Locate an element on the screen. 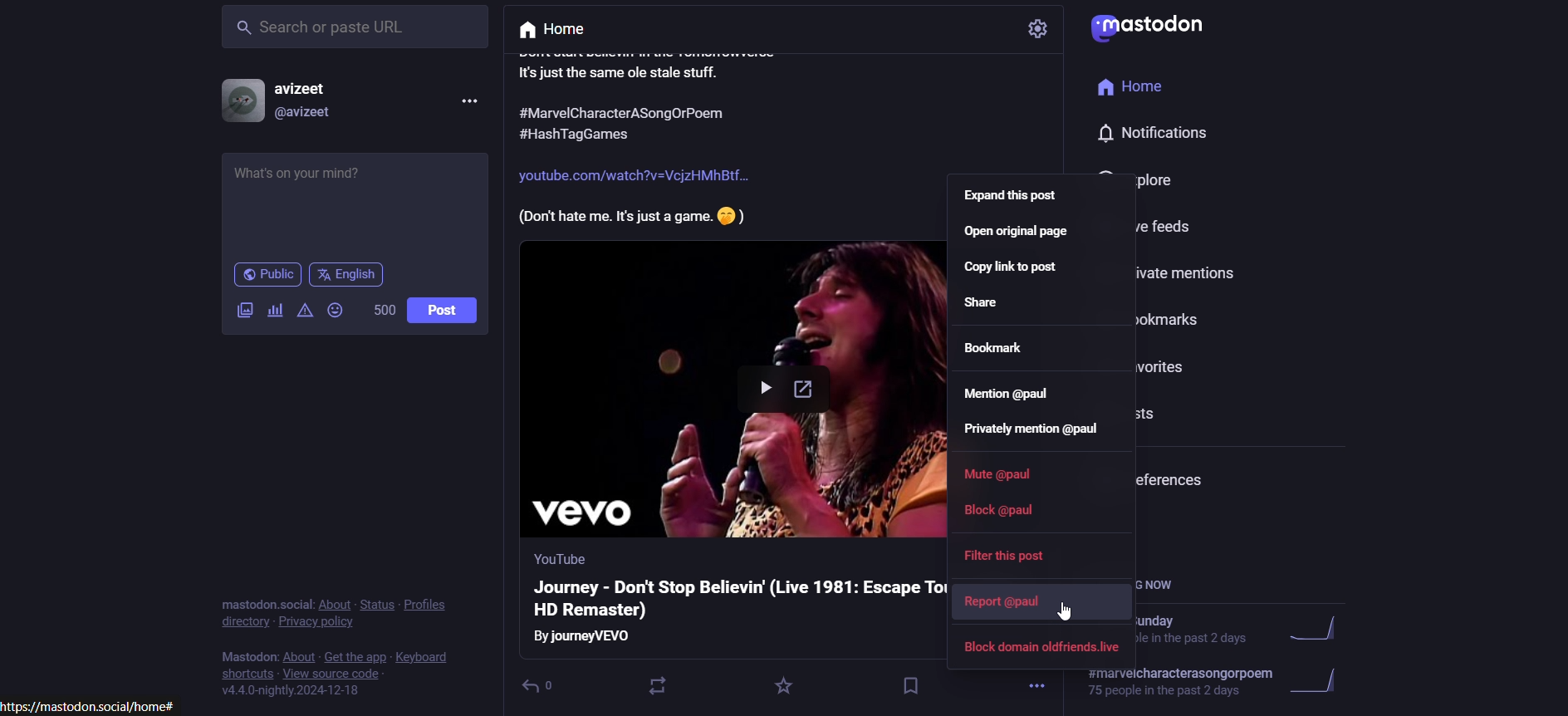 The height and width of the screenshot is (716, 1568). mention user is located at coordinates (1008, 400).